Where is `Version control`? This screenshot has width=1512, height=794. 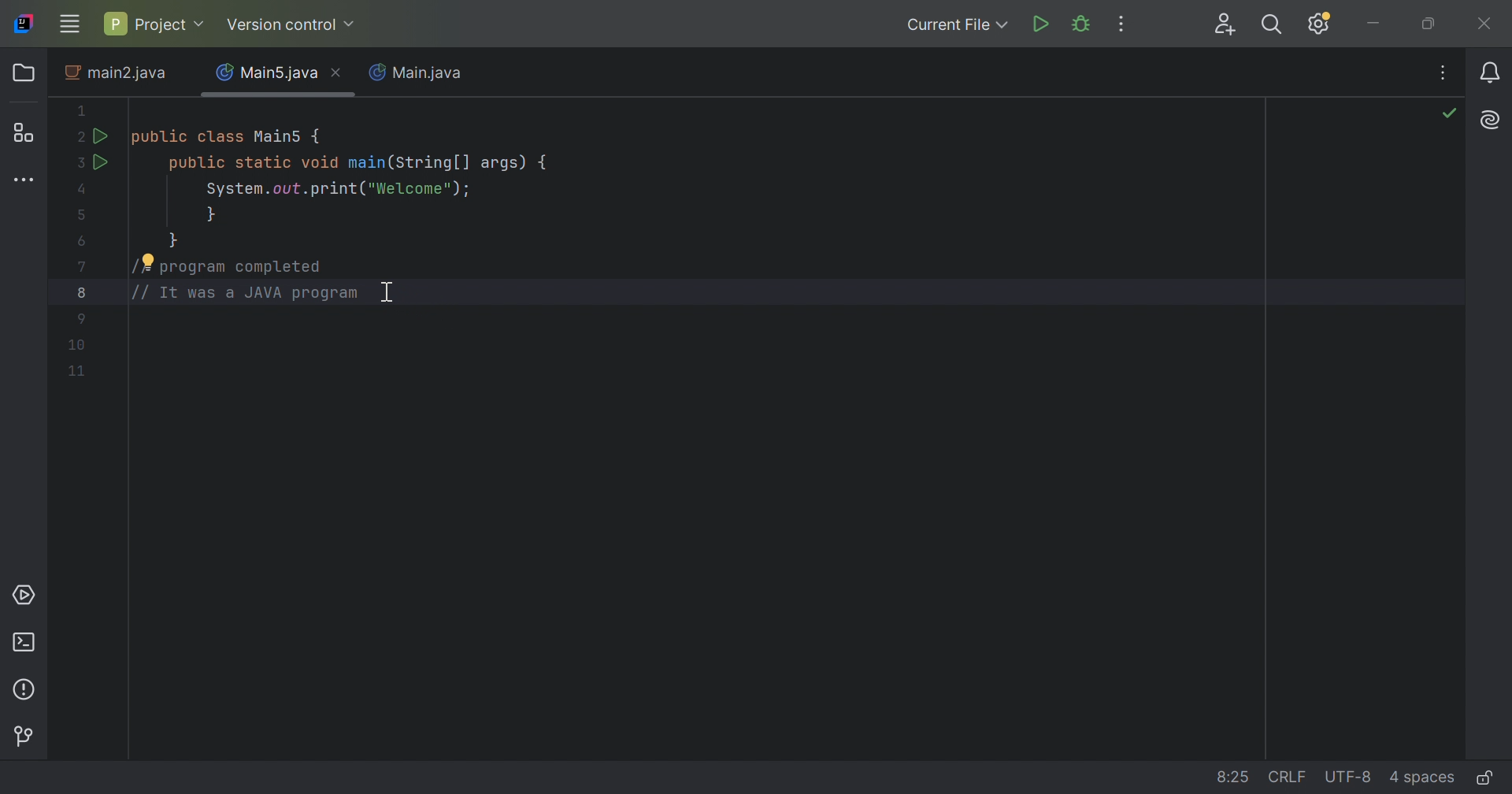
Version control is located at coordinates (293, 25).